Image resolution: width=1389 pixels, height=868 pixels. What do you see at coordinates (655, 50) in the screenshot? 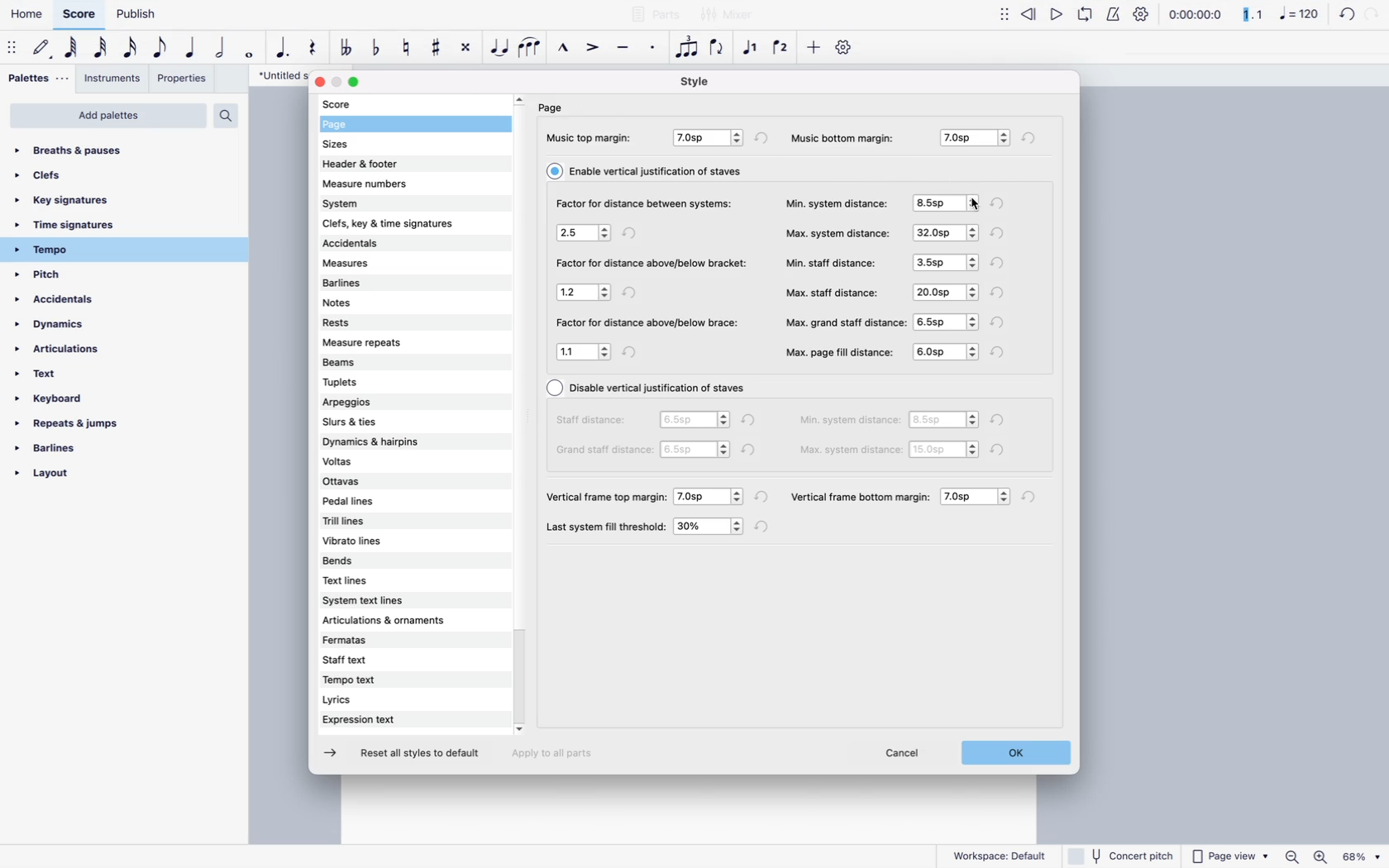
I see `staccato` at bounding box center [655, 50].